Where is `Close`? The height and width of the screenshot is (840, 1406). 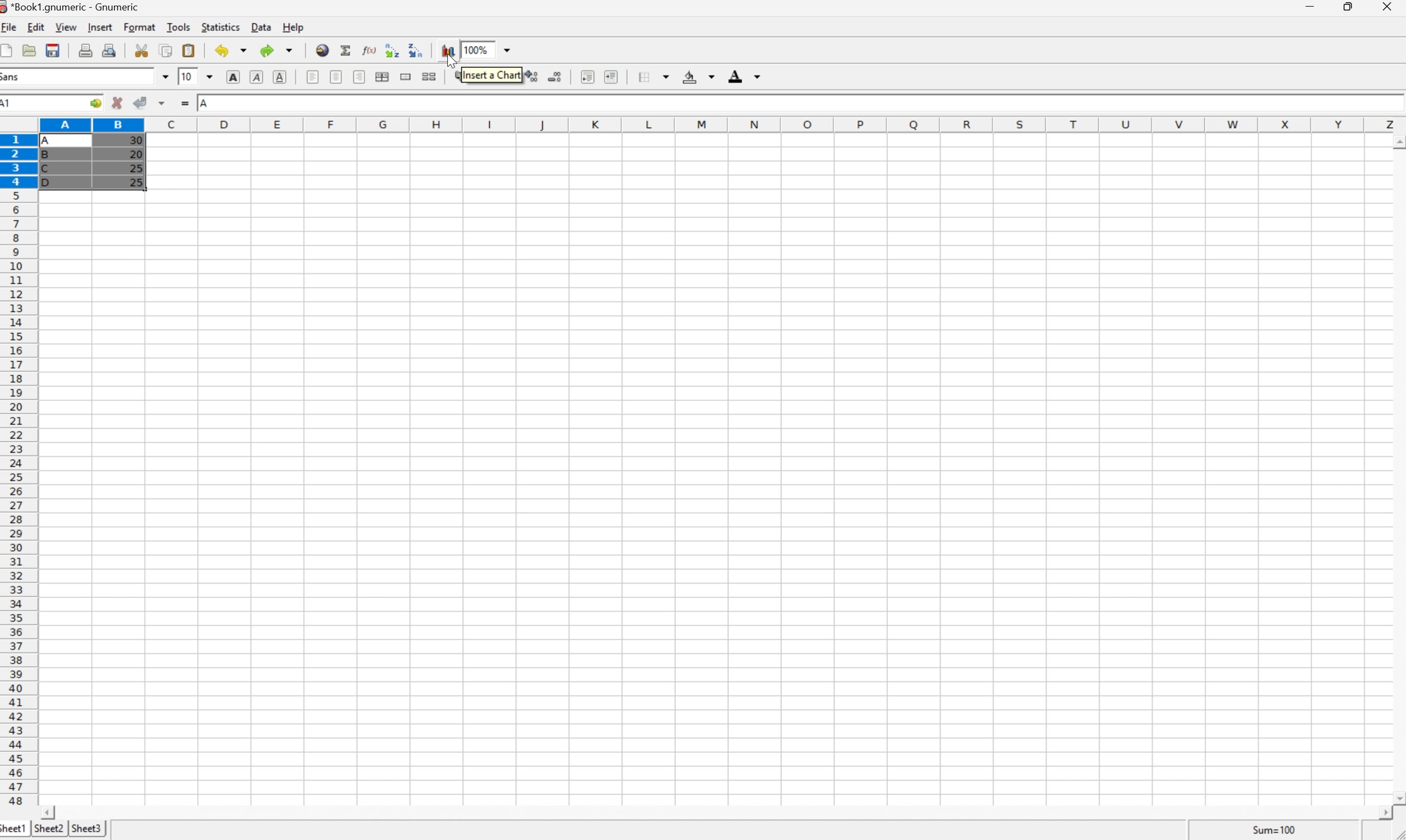
Close is located at coordinates (1388, 7).